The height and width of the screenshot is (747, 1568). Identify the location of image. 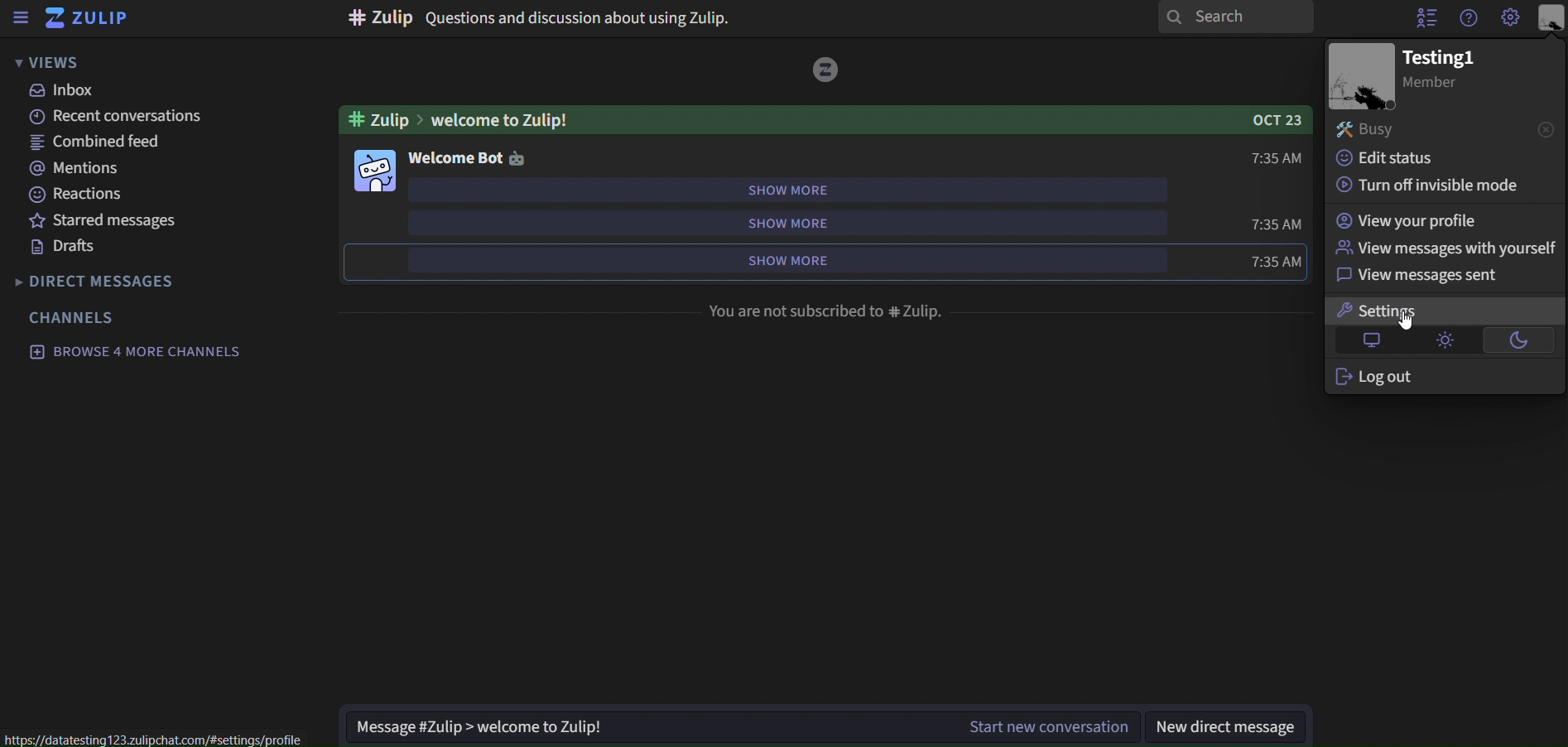
(826, 68).